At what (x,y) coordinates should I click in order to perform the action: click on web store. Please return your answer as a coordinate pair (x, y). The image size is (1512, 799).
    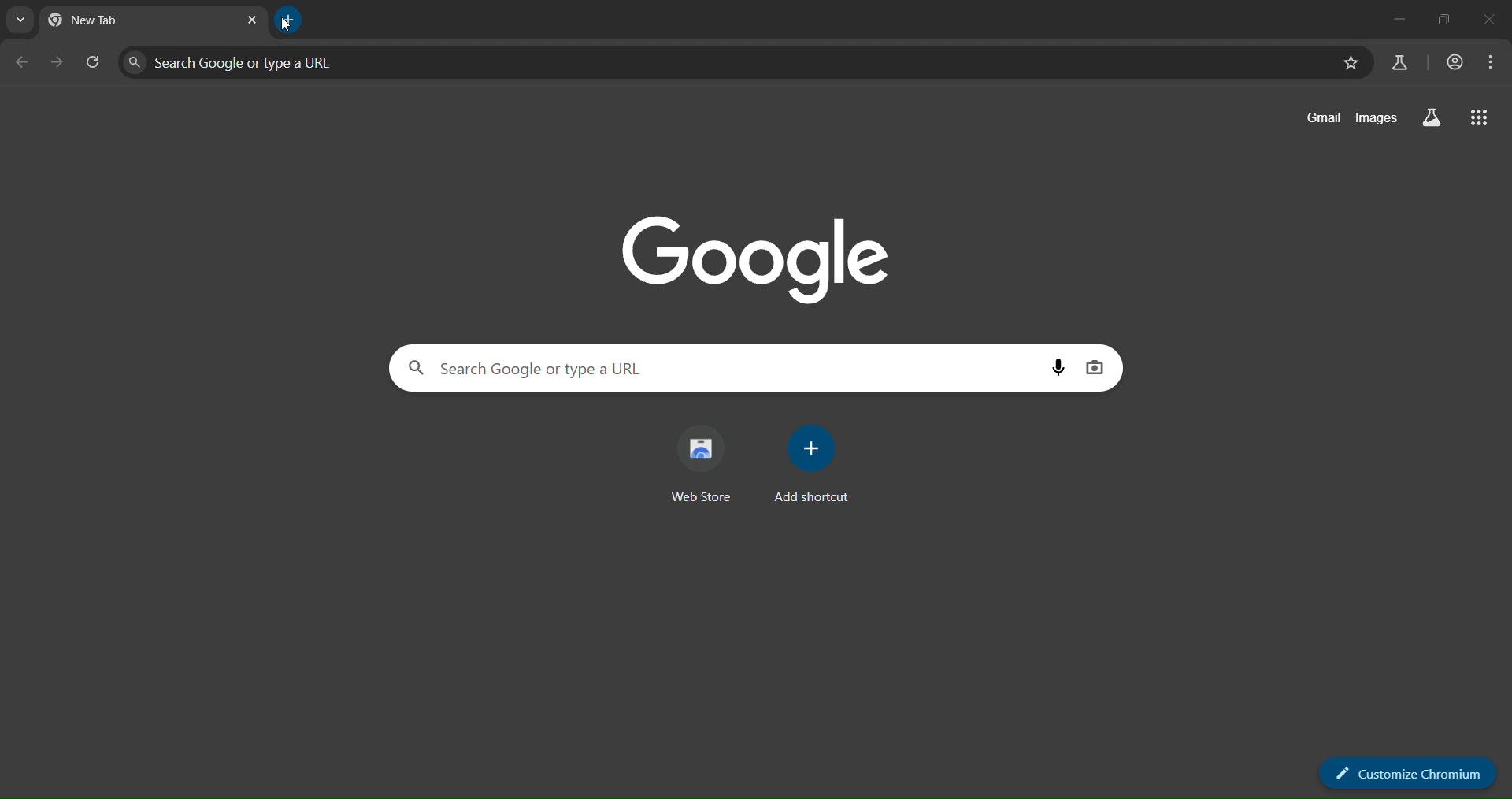
    Looking at the image, I should click on (705, 465).